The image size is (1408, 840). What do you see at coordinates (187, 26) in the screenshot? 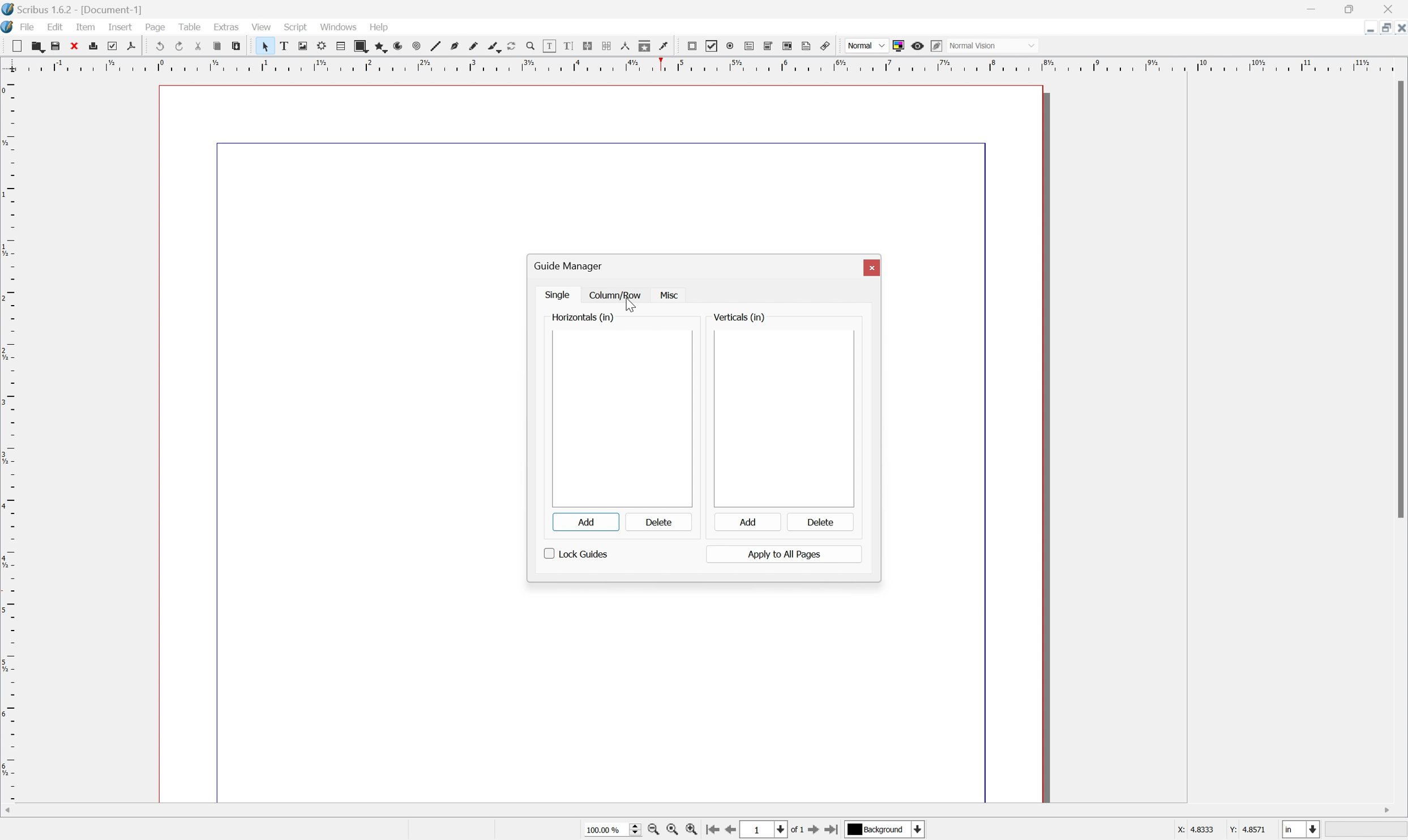
I see `table` at bounding box center [187, 26].